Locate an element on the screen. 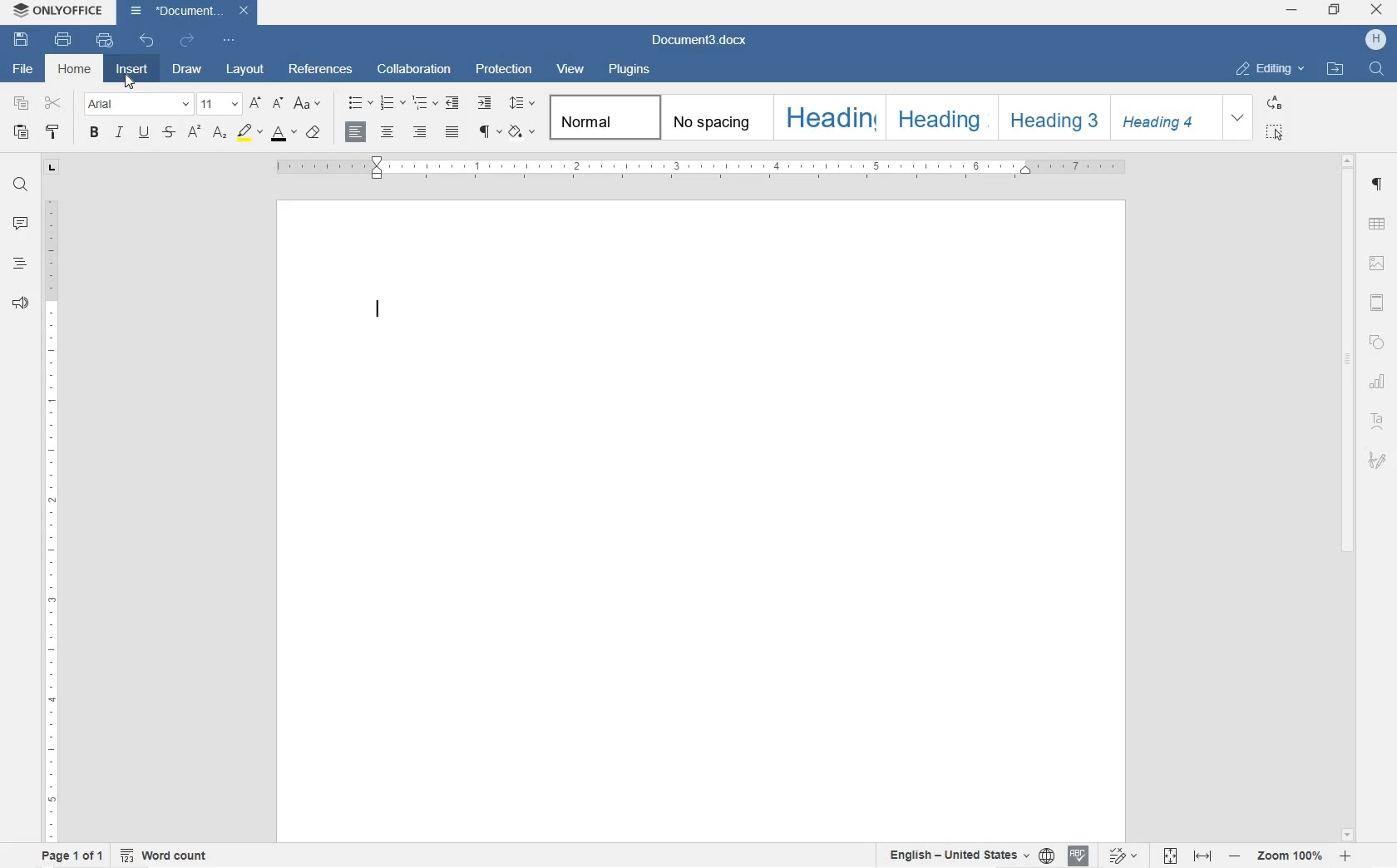  HEADING 1 is located at coordinates (829, 120).